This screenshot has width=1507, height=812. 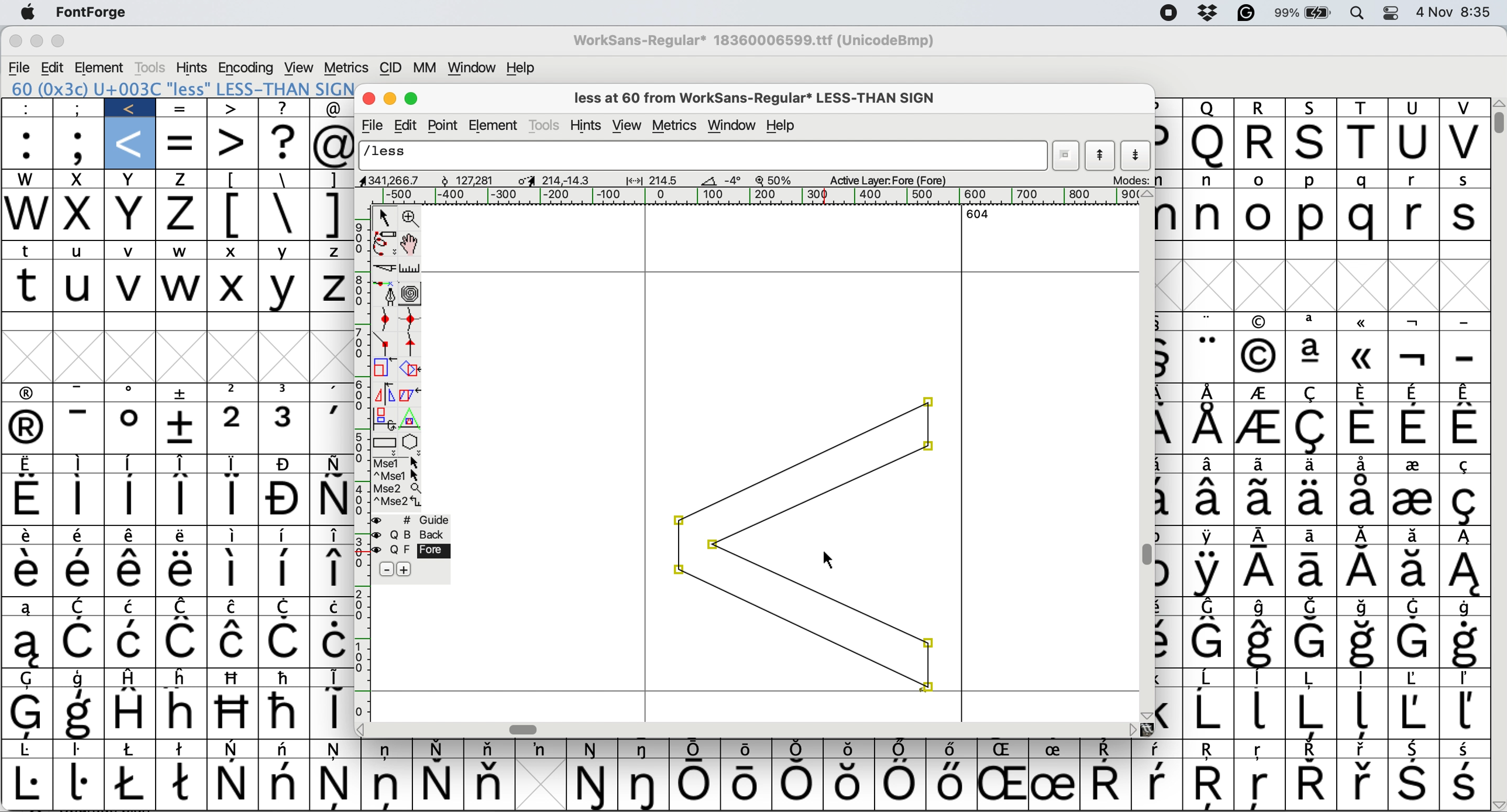 I want to click on Symbol, so click(x=1261, y=394).